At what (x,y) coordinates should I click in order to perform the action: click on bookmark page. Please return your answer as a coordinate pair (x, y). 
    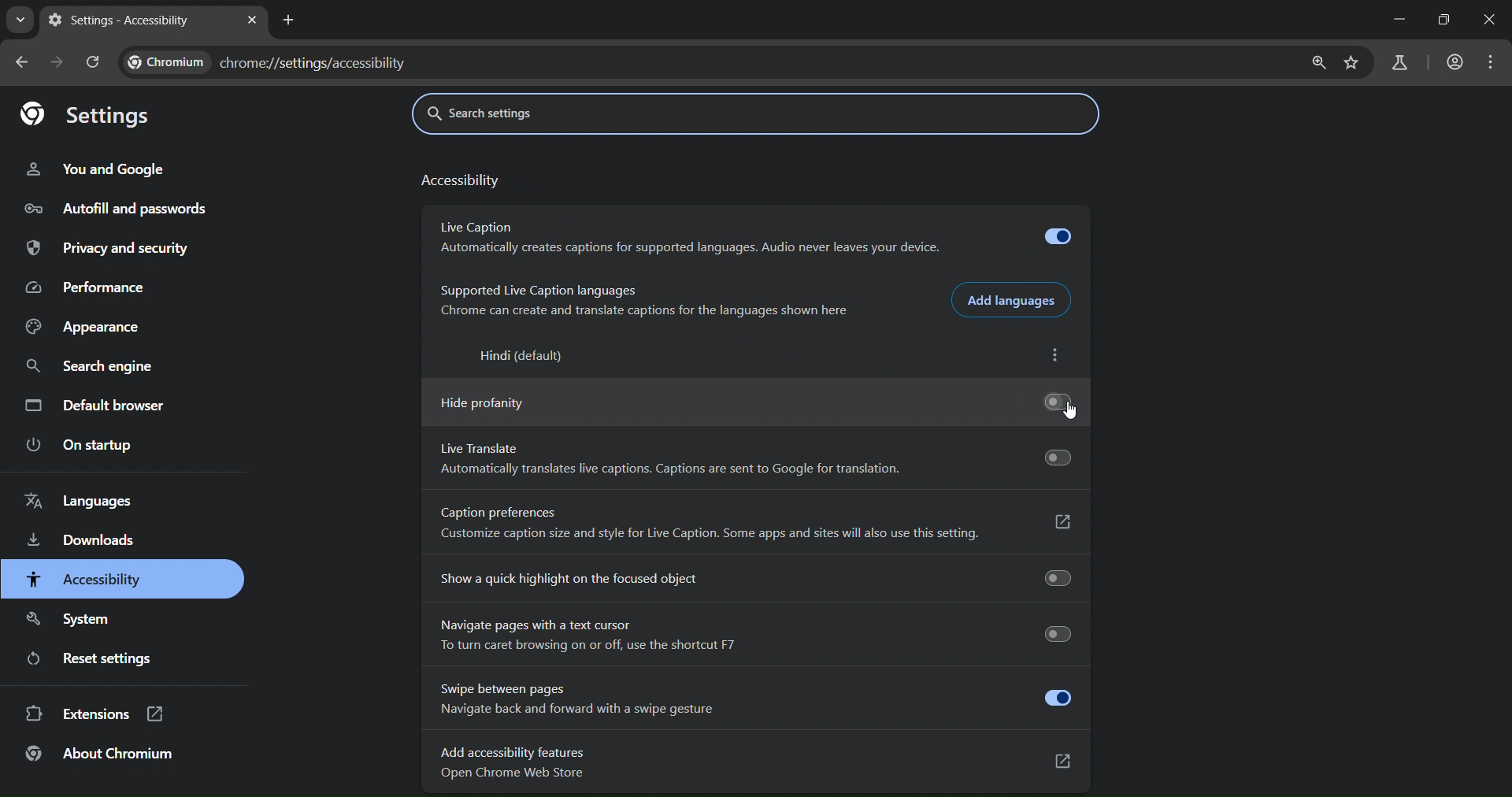
    Looking at the image, I should click on (1351, 65).